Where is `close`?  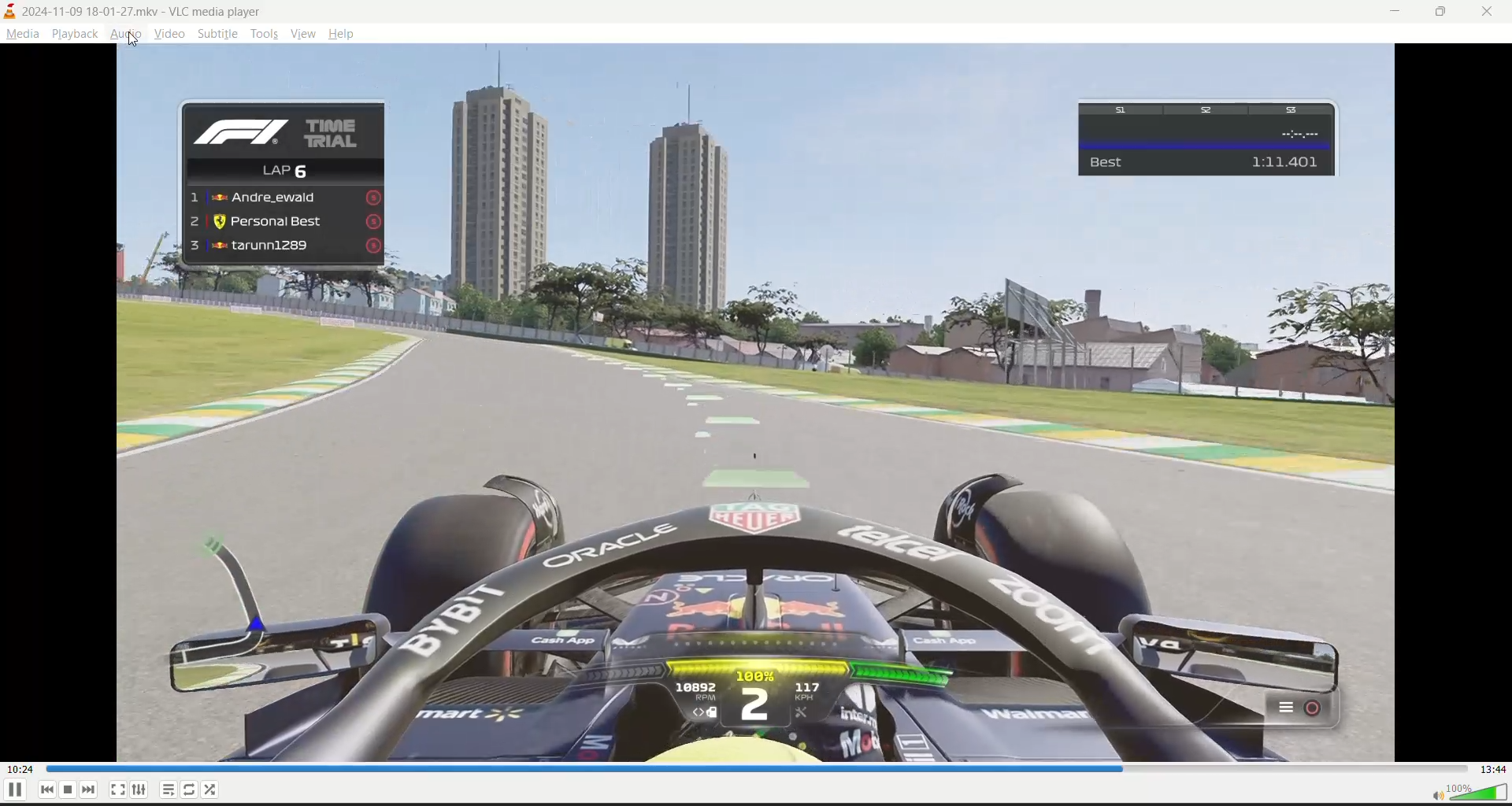
close is located at coordinates (1488, 14).